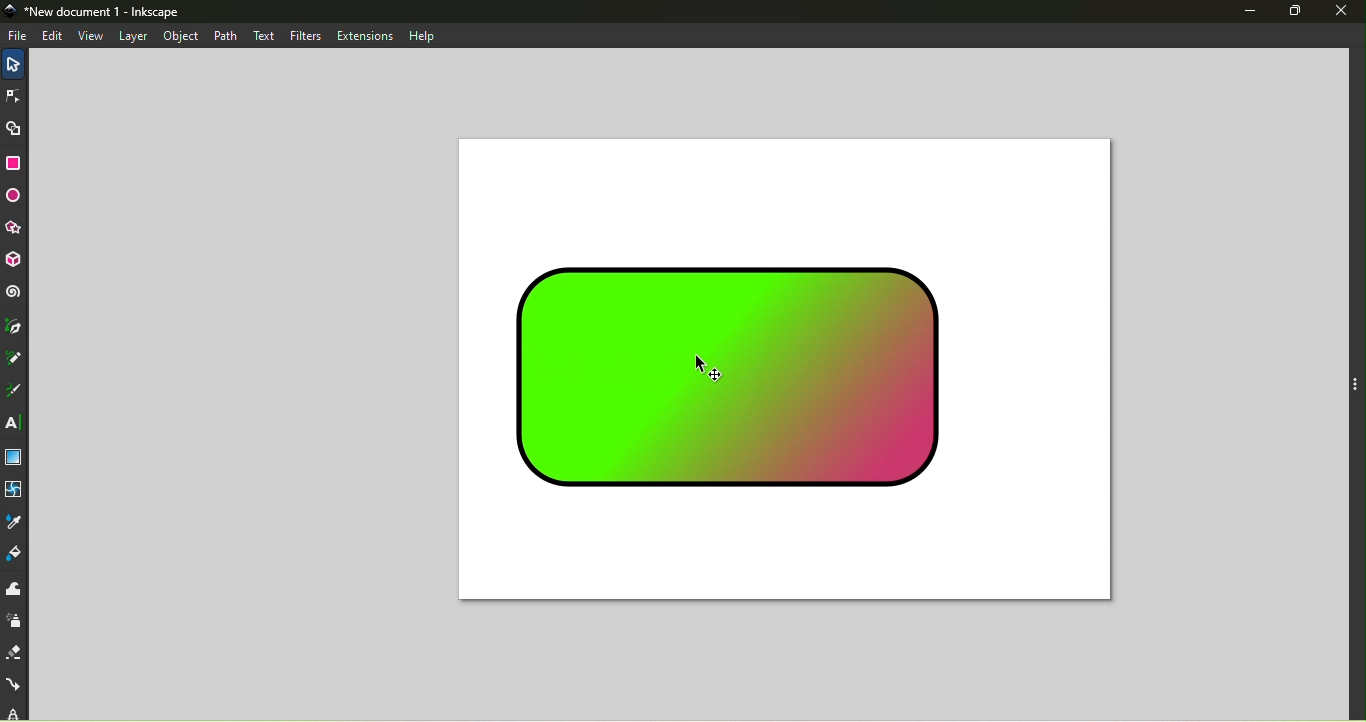 The width and height of the screenshot is (1366, 722). What do you see at coordinates (18, 389) in the screenshot?
I see `Calligraphy` at bounding box center [18, 389].